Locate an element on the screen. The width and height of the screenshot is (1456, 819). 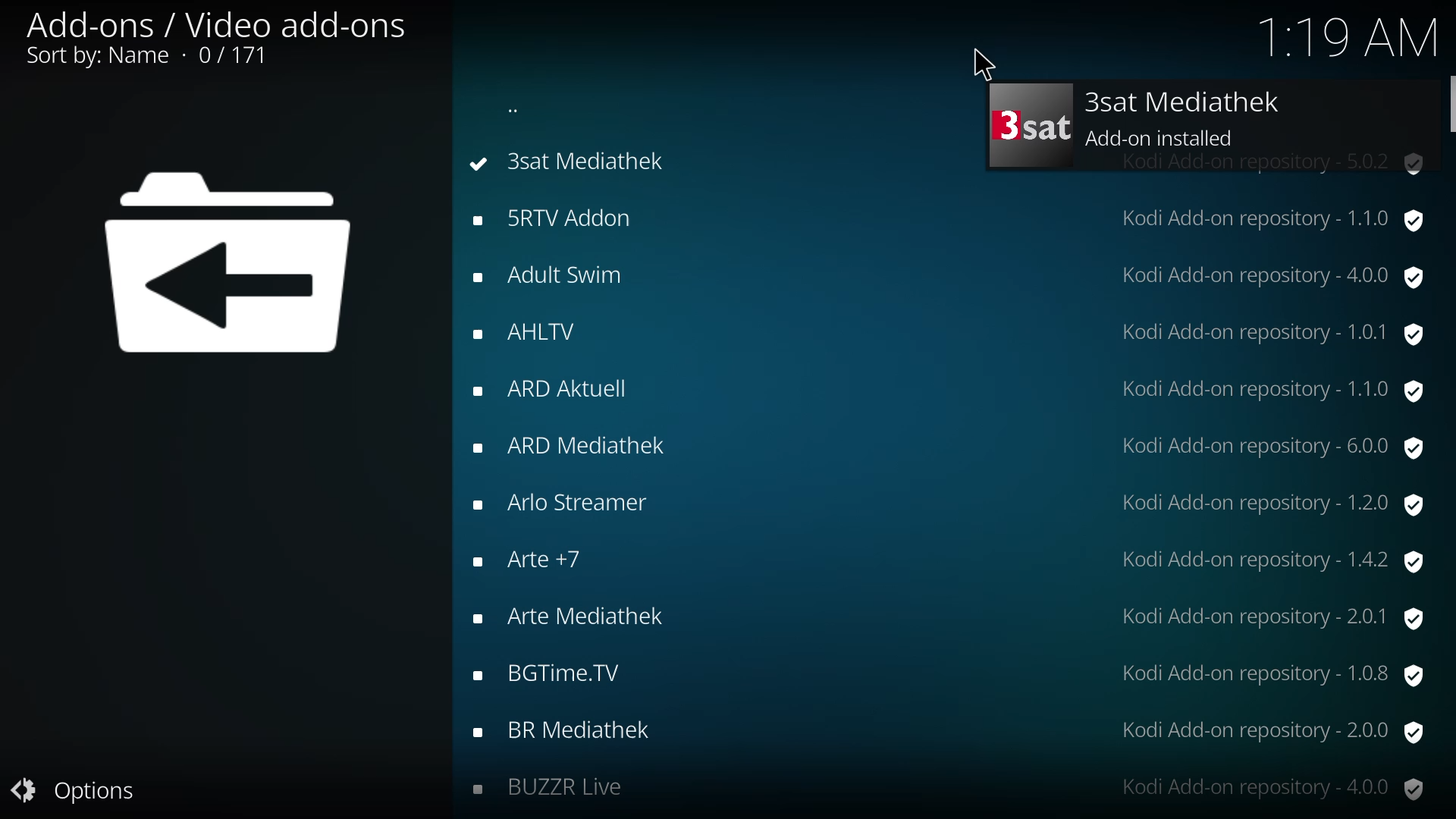
add-ons is located at coordinates (569, 395).